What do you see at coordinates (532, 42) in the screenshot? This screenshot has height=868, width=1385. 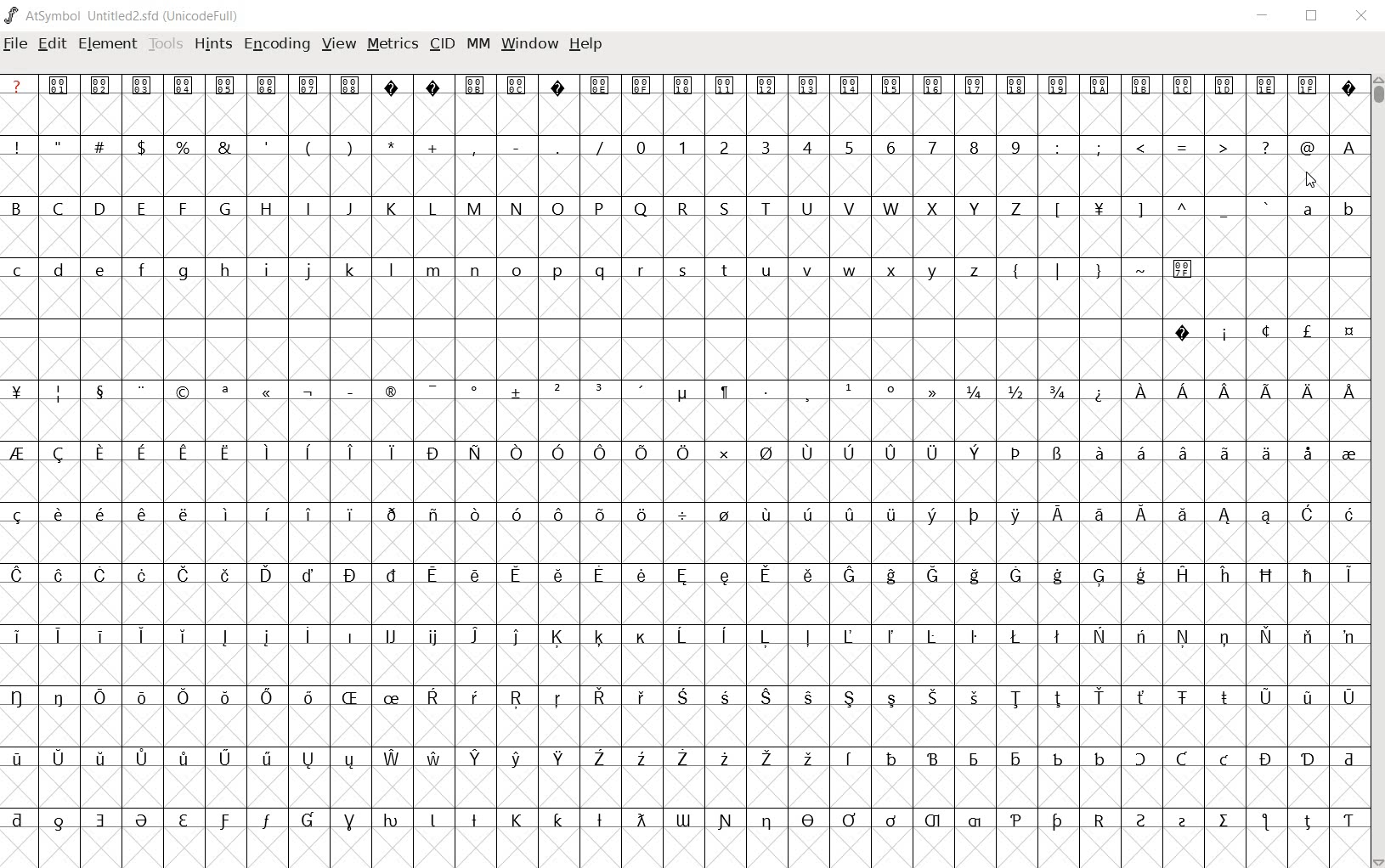 I see `WINDOW` at bounding box center [532, 42].